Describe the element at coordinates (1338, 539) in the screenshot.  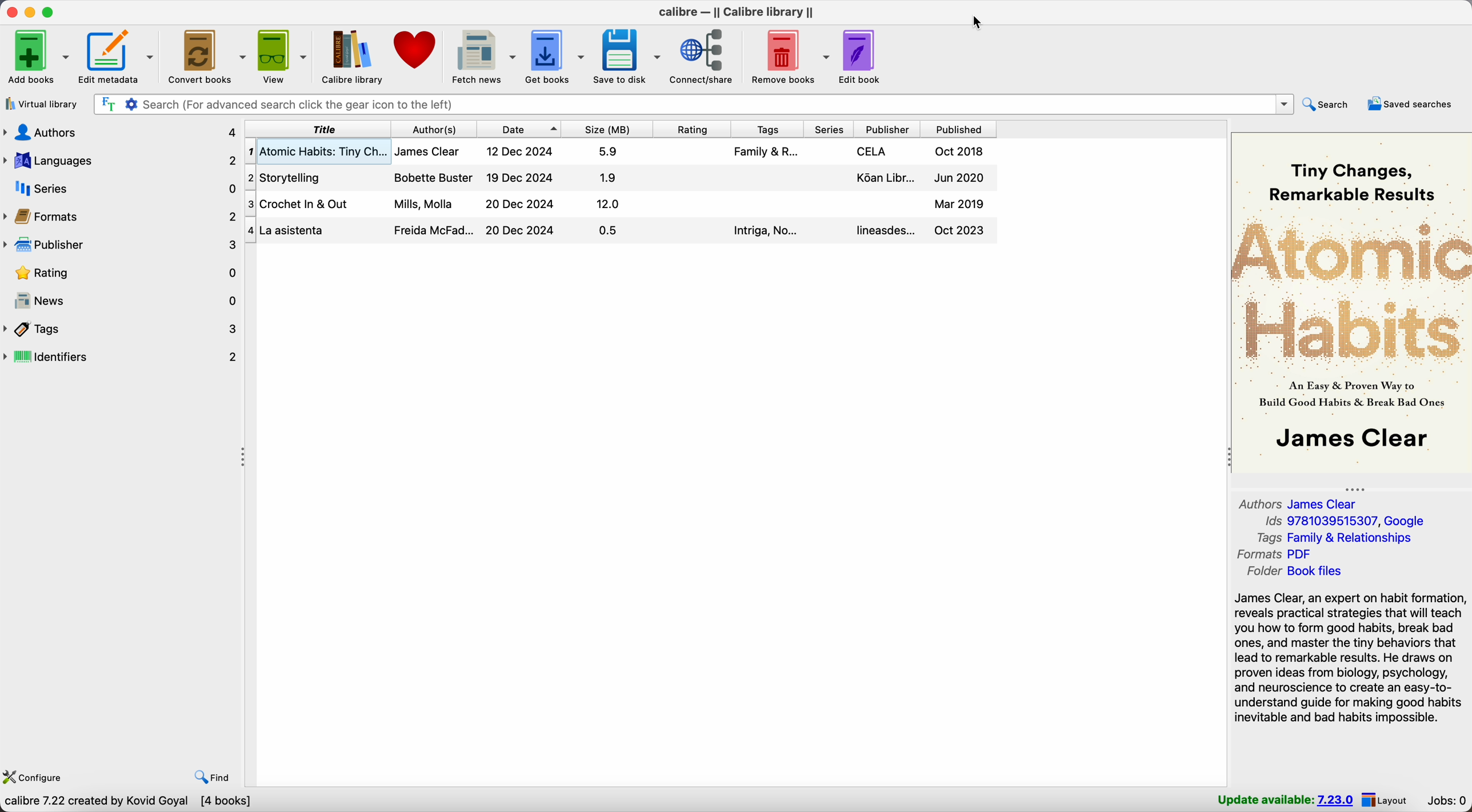
I see `tags Family & Relationships` at that location.